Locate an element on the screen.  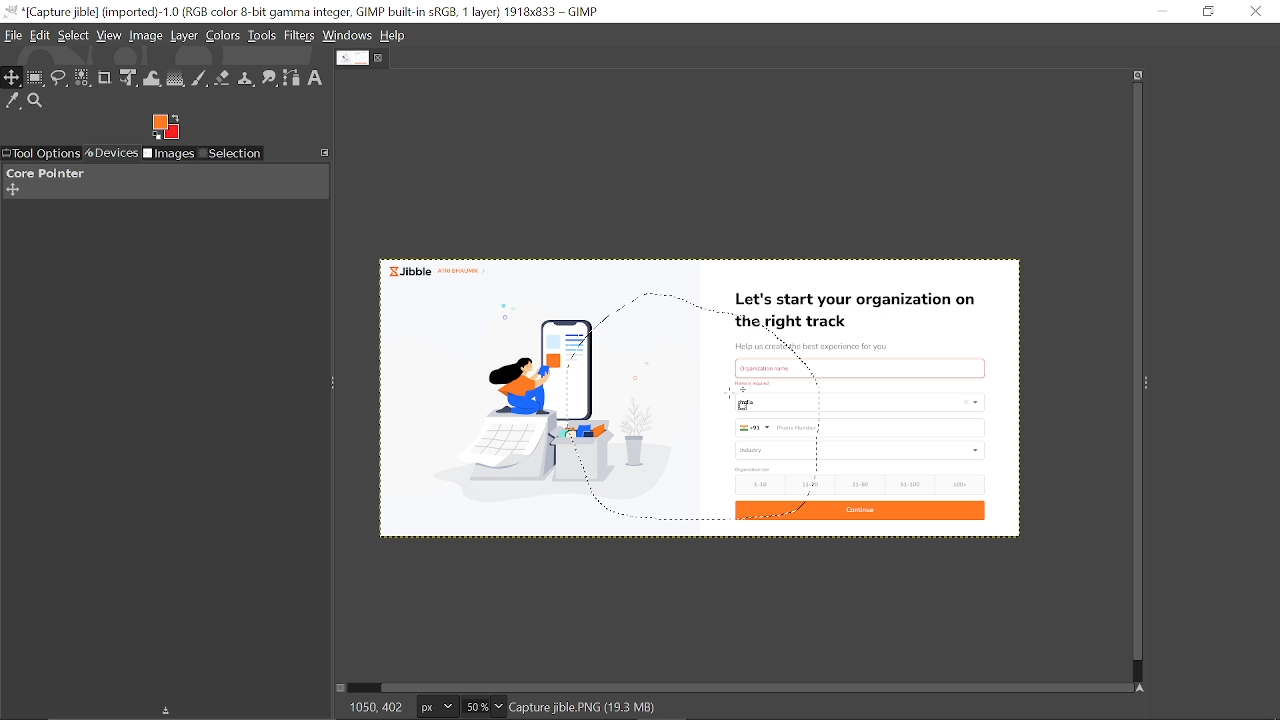
Zoom when window size changes is located at coordinates (1134, 77).